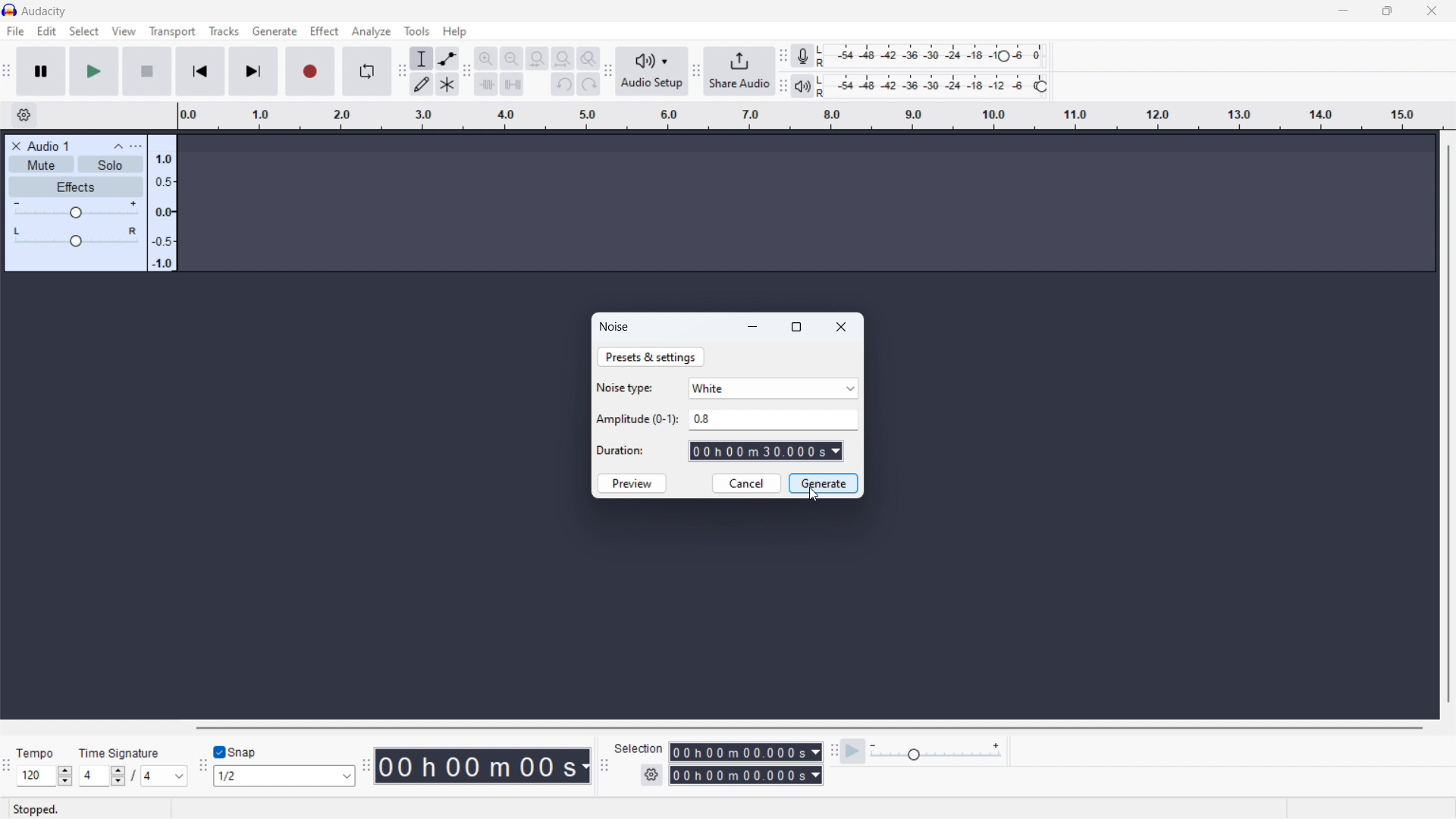 Image resolution: width=1456 pixels, height=819 pixels. What do you see at coordinates (136, 146) in the screenshot?
I see `open menu` at bounding box center [136, 146].